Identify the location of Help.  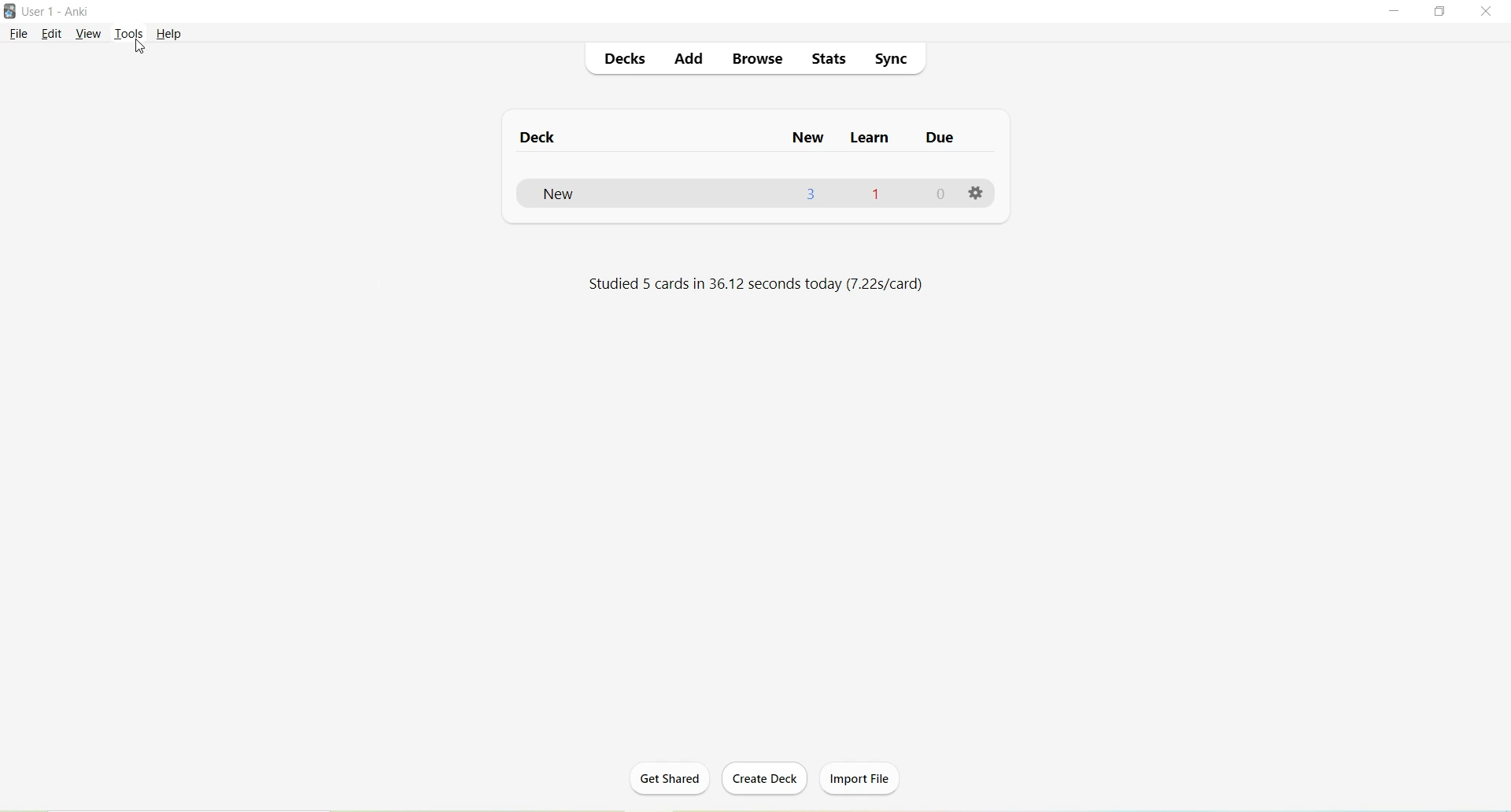
(169, 34).